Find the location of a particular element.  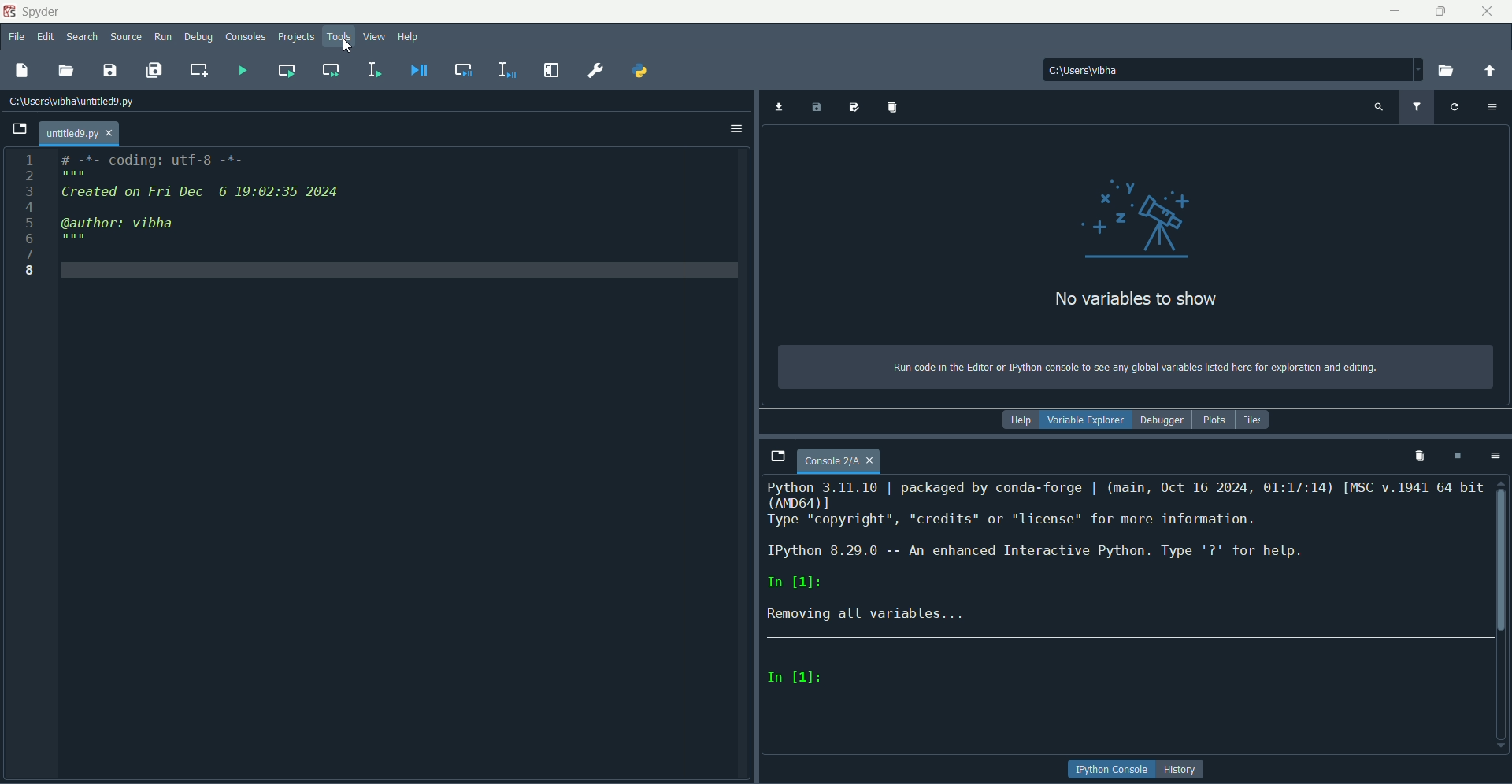

open file is located at coordinates (67, 71).